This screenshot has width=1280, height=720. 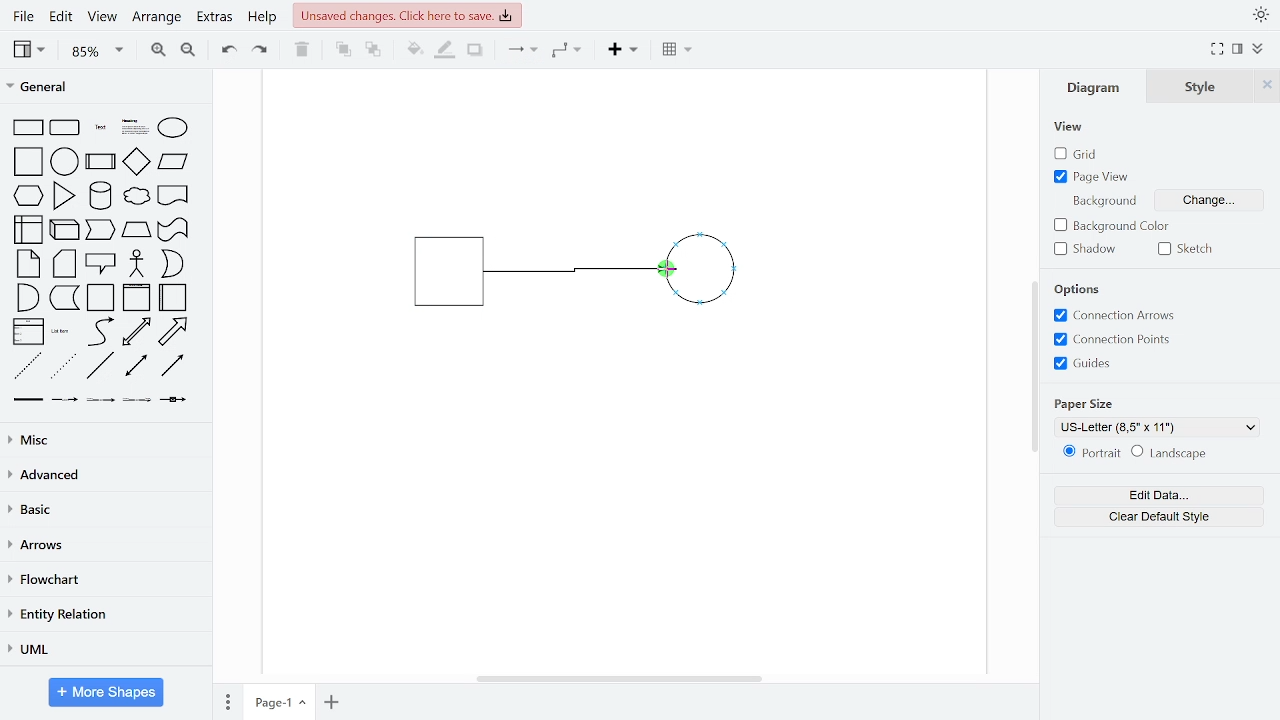 What do you see at coordinates (156, 48) in the screenshot?
I see `zoom in` at bounding box center [156, 48].